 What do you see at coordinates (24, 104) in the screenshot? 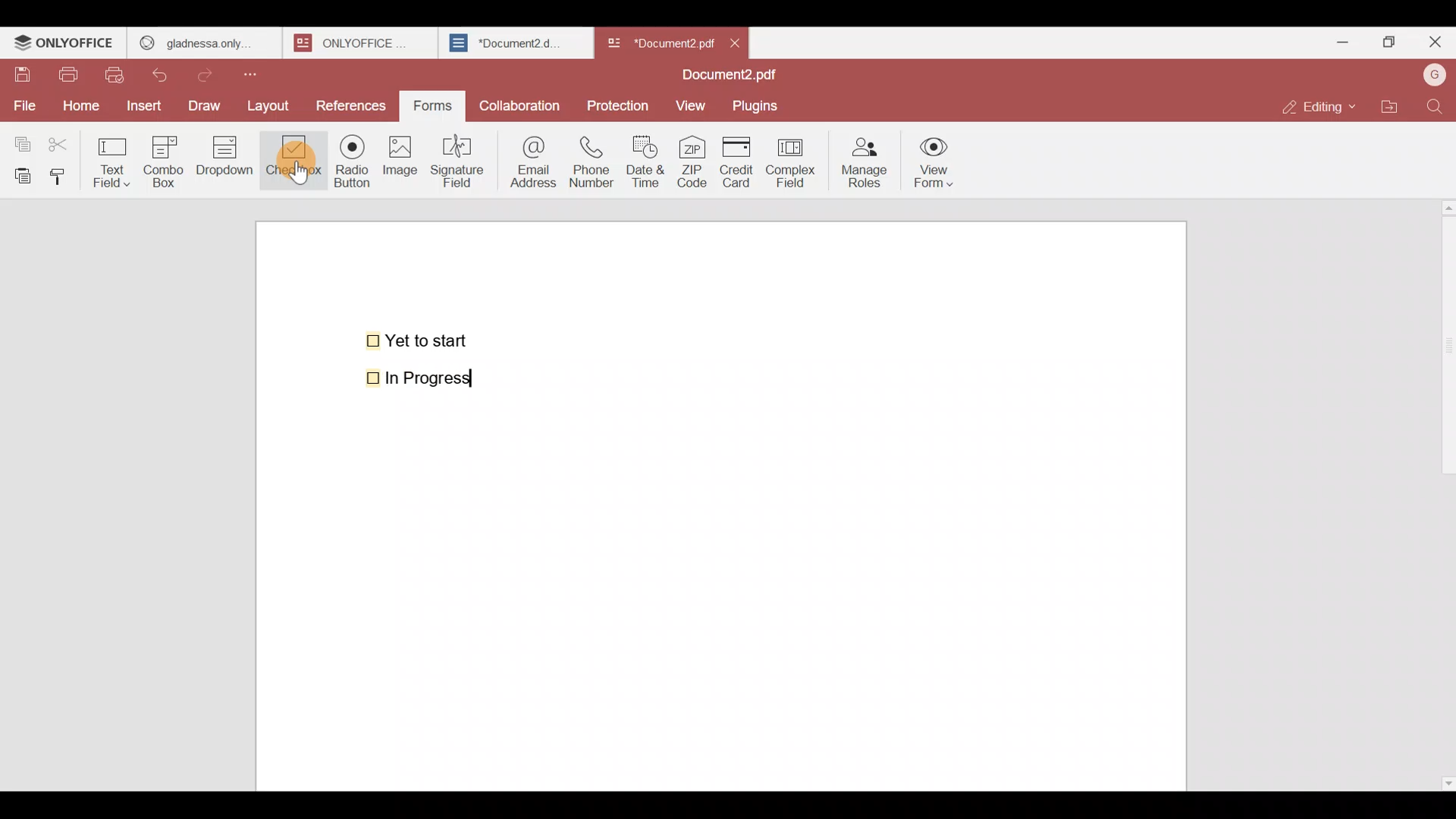
I see `File` at bounding box center [24, 104].